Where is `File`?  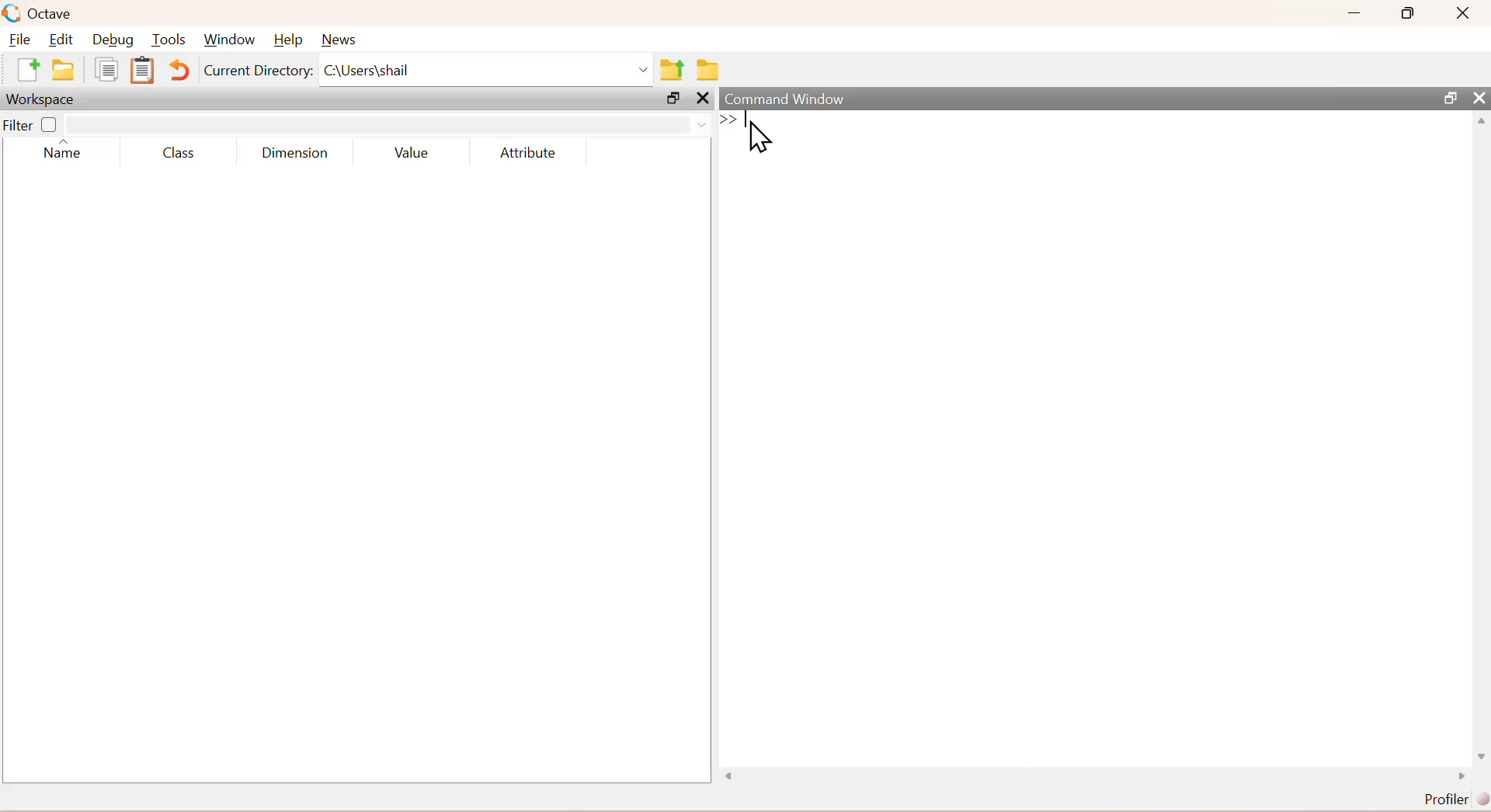 File is located at coordinates (22, 38).